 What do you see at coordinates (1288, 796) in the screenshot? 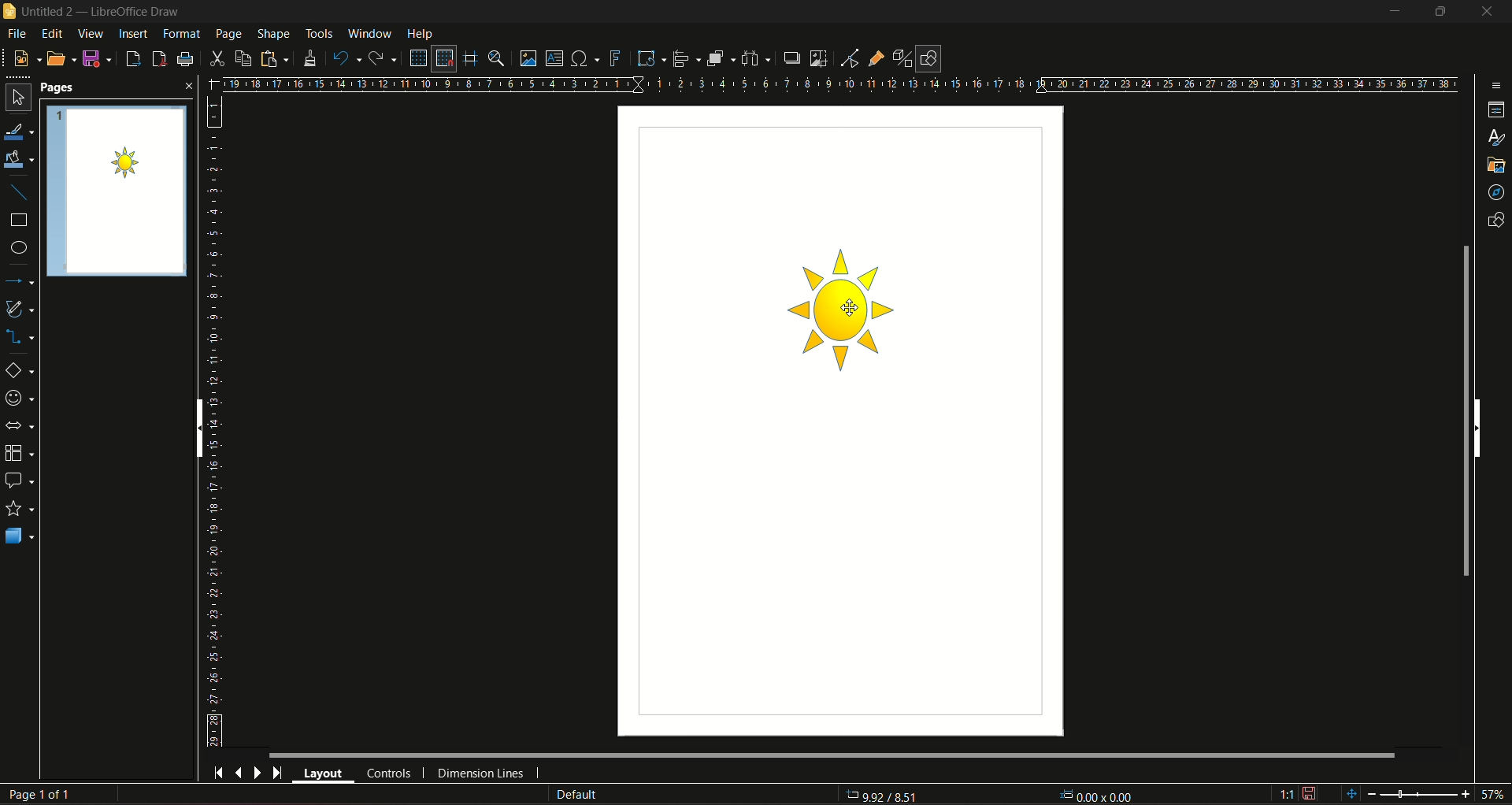
I see `ratio` at bounding box center [1288, 796].